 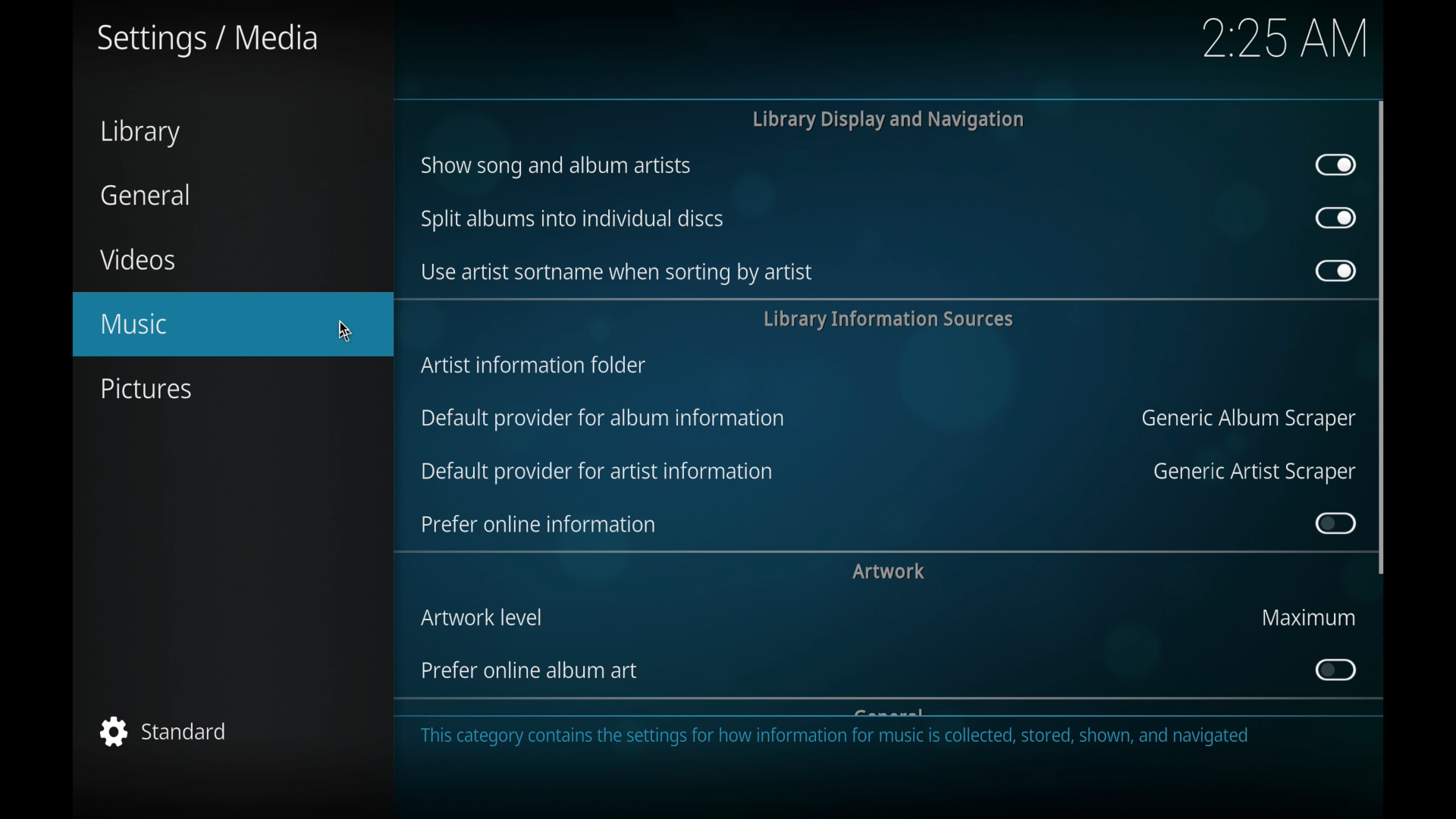 I want to click on prefer online information, so click(x=538, y=526).